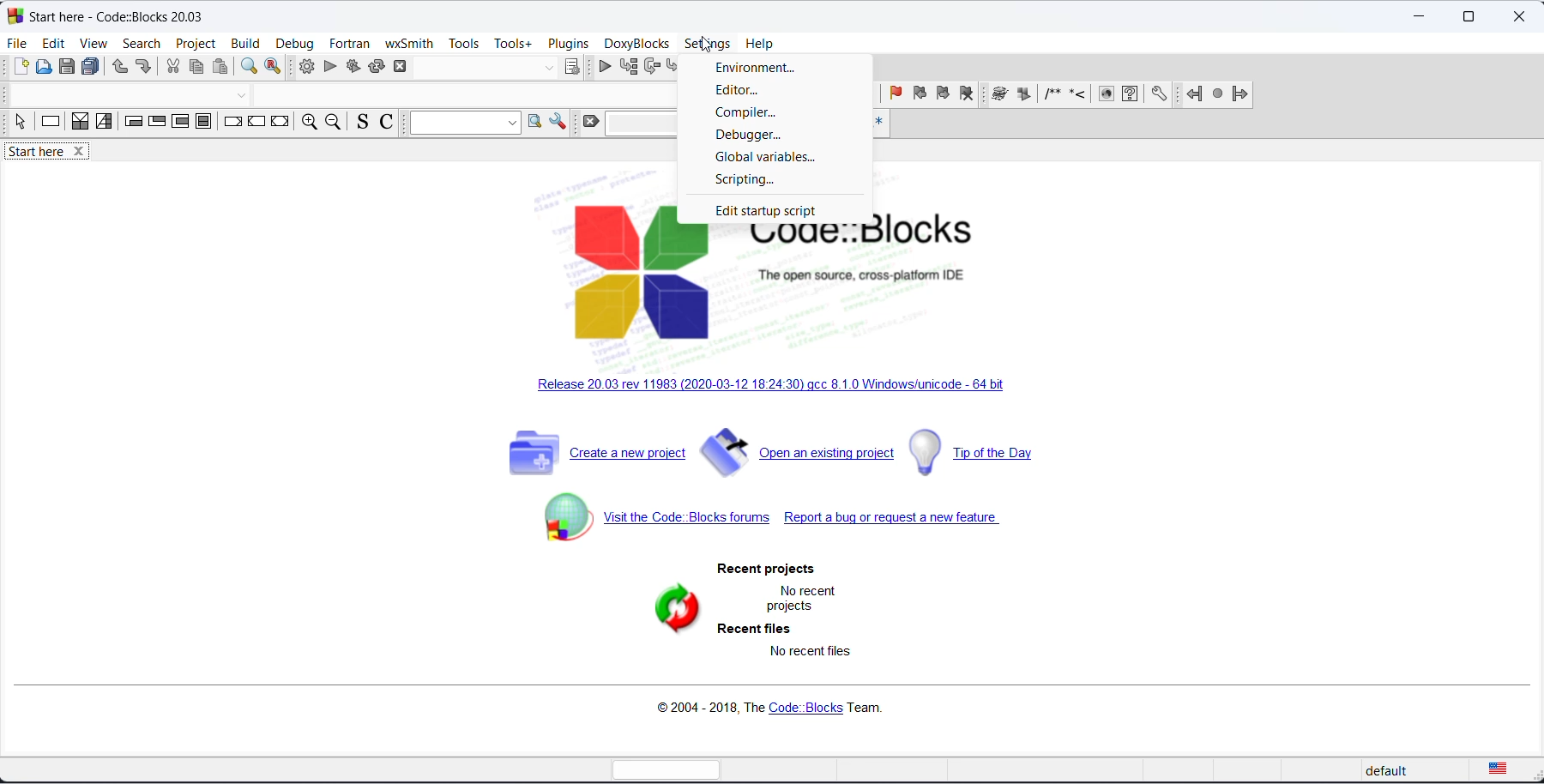 The height and width of the screenshot is (784, 1544). Describe the element at coordinates (547, 67) in the screenshot. I see `dropdown` at that location.